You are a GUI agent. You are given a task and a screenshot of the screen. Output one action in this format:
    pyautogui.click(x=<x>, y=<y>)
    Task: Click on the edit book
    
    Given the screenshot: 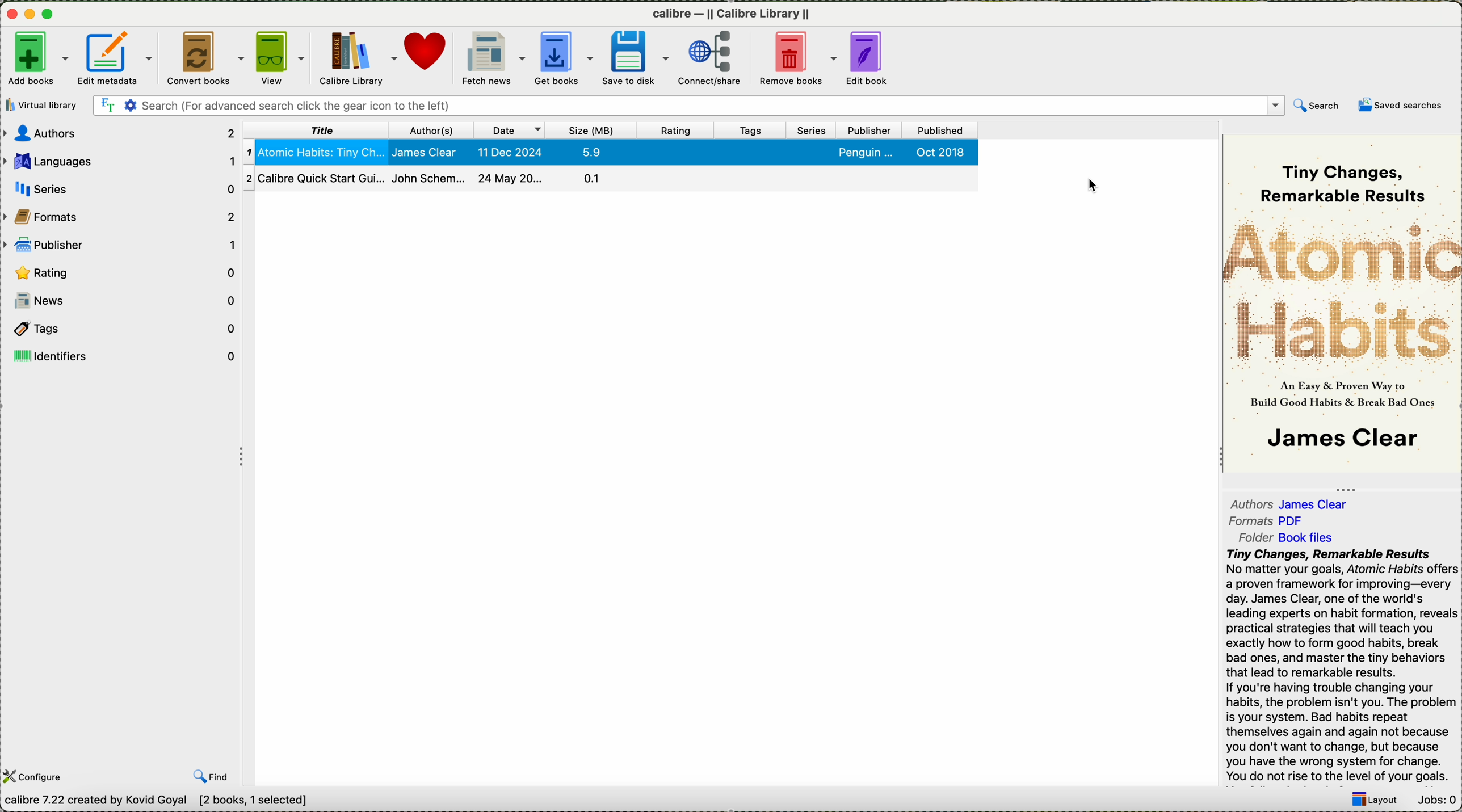 What is the action you would take?
    pyautogui.click(x=866, y=57)
    